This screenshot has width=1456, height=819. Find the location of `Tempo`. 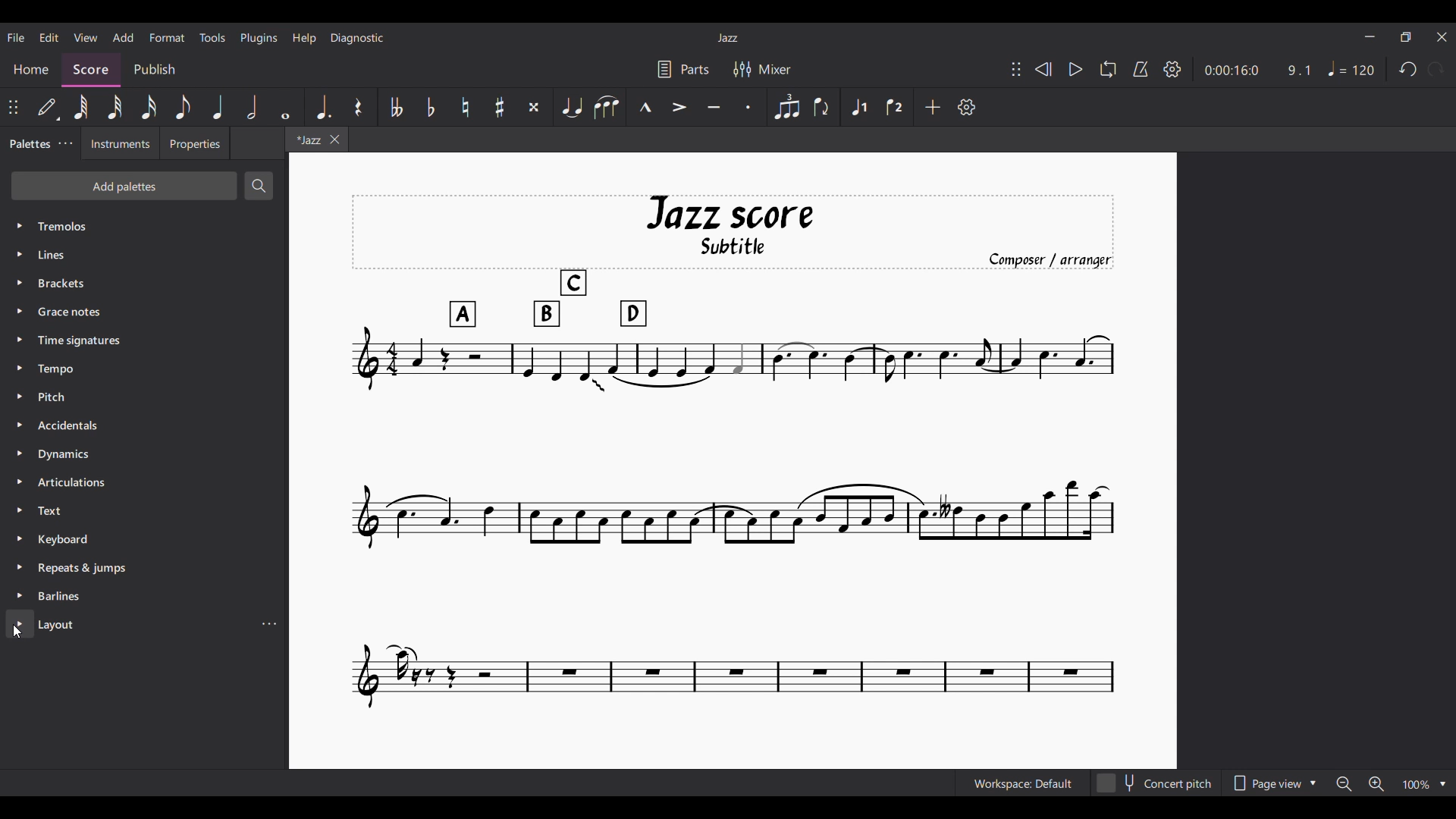

Tempo is located at coordinates (145, 369).